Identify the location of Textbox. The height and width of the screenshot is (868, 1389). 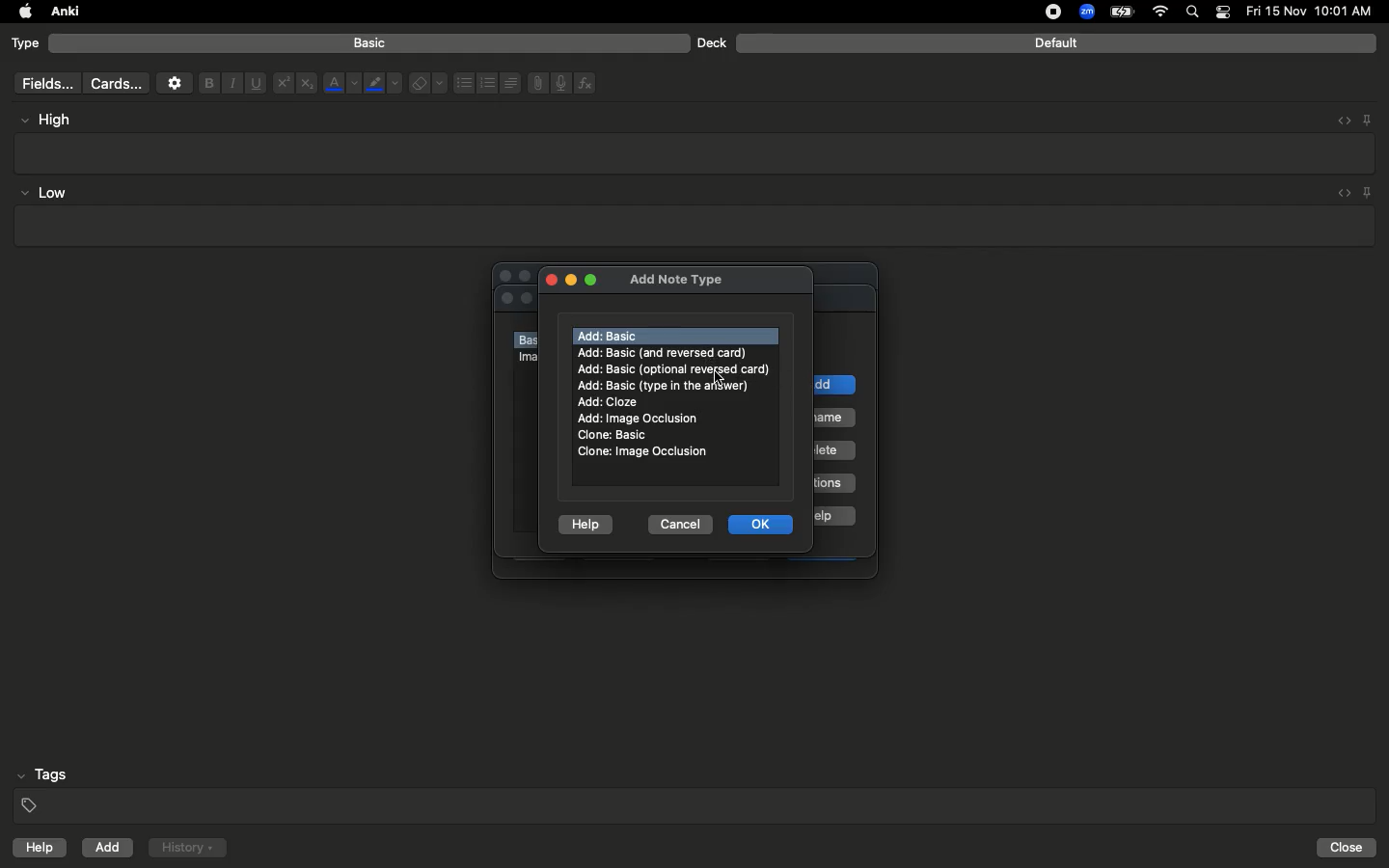
(696, 152).